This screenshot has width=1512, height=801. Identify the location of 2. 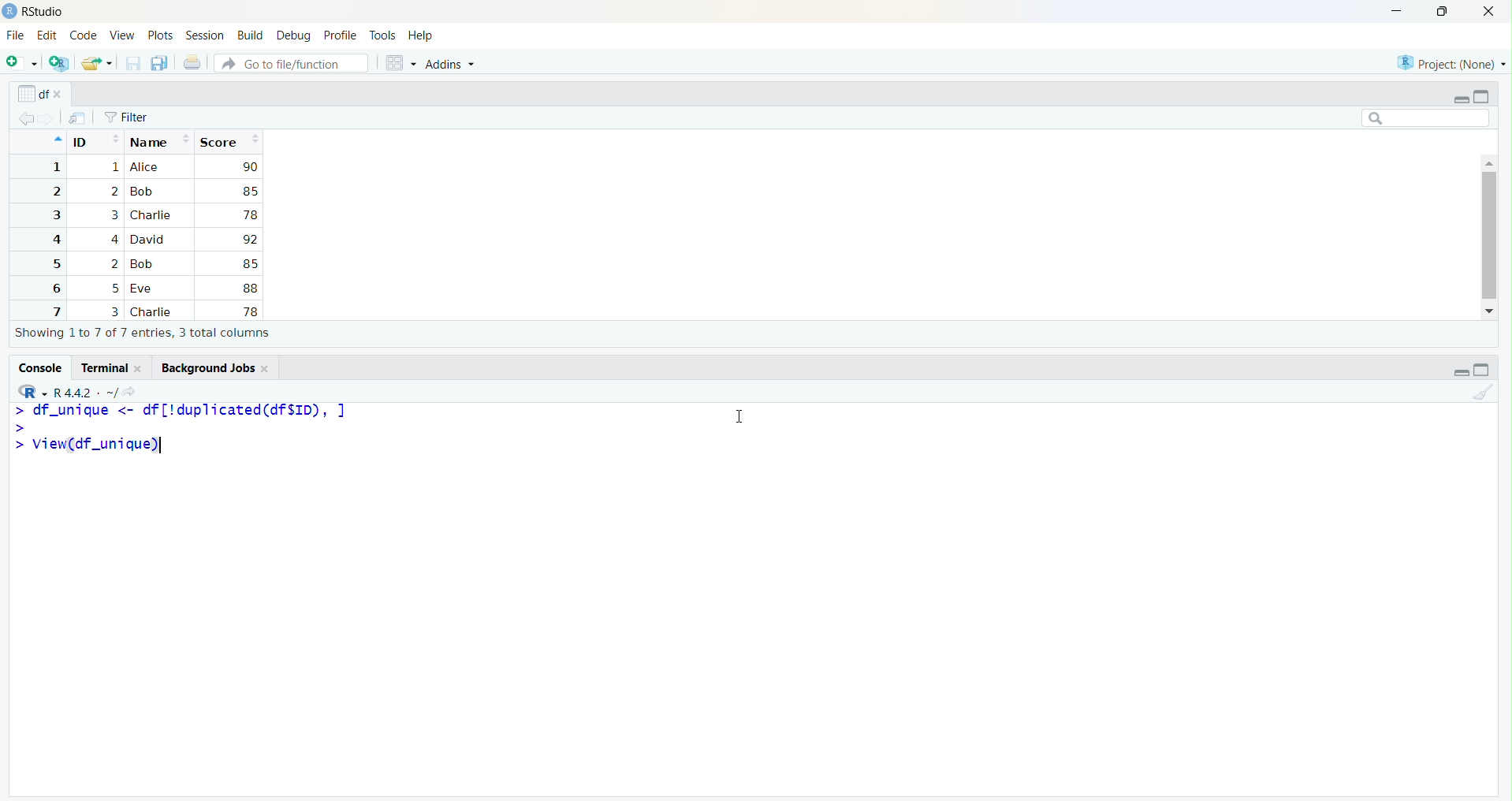
(114, 191).